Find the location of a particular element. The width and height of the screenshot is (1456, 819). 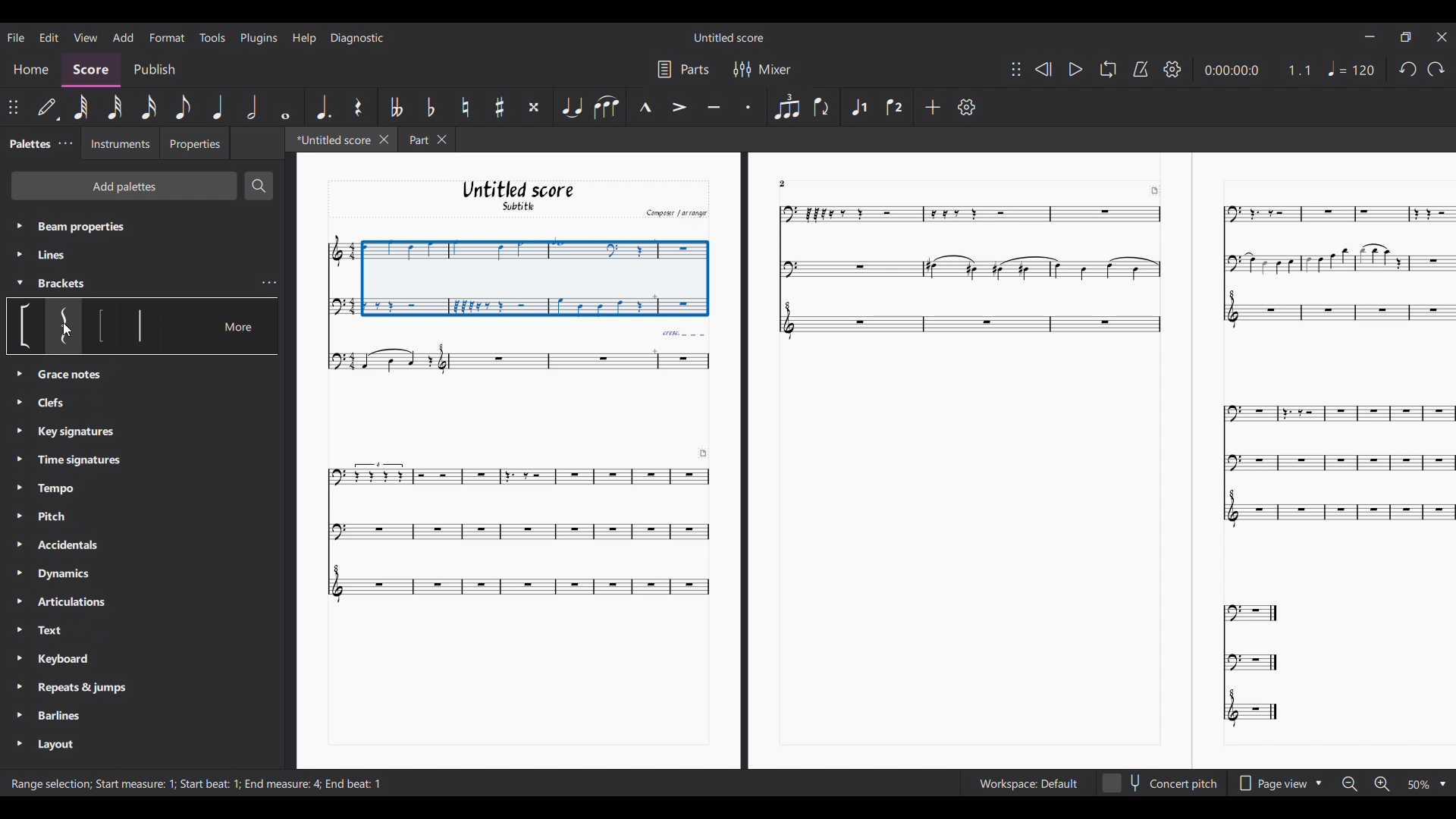

Staccato is located at coordinates (747, 106).